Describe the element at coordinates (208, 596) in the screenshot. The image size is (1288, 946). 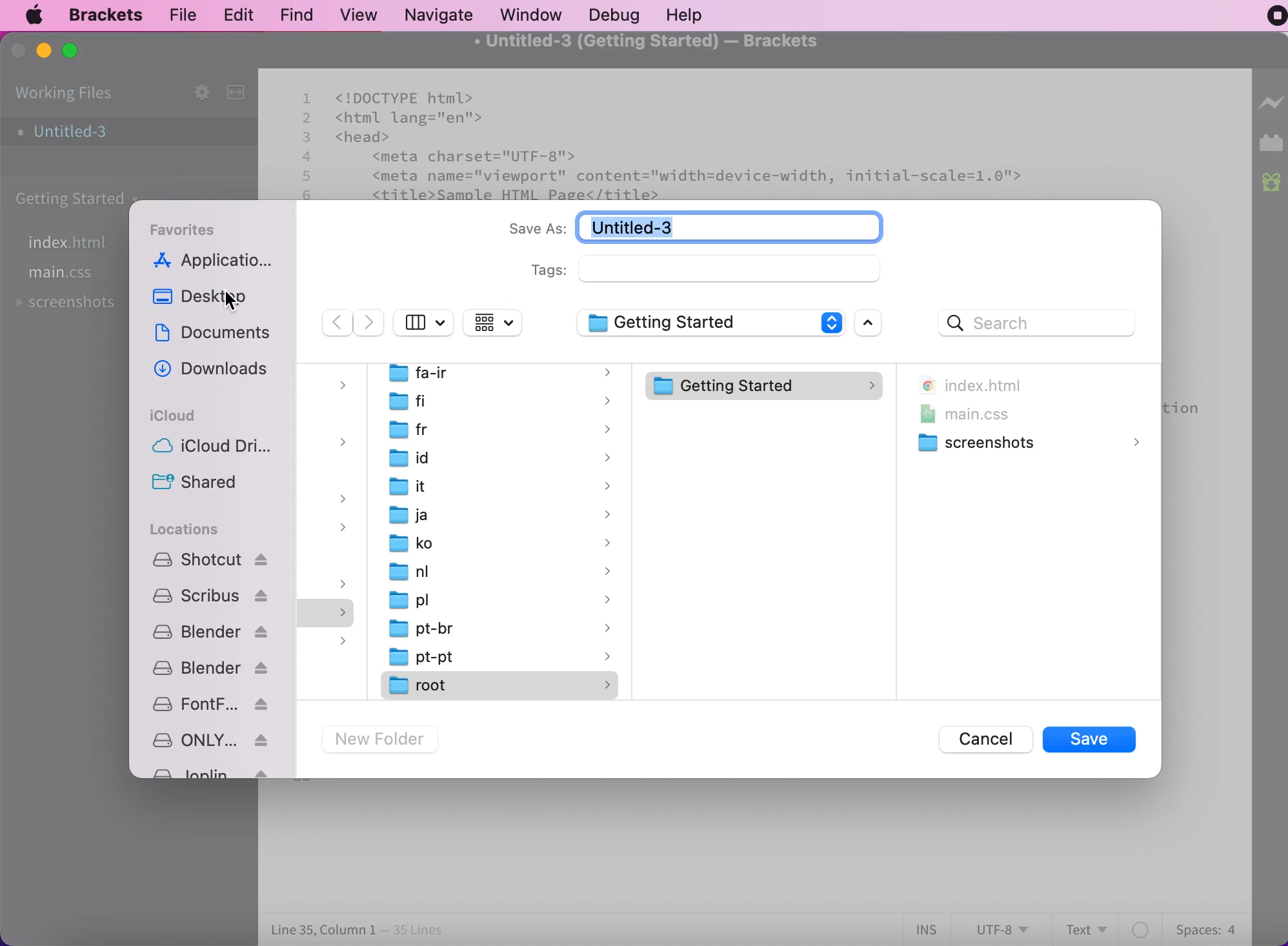
I see `Scribus` at that location.